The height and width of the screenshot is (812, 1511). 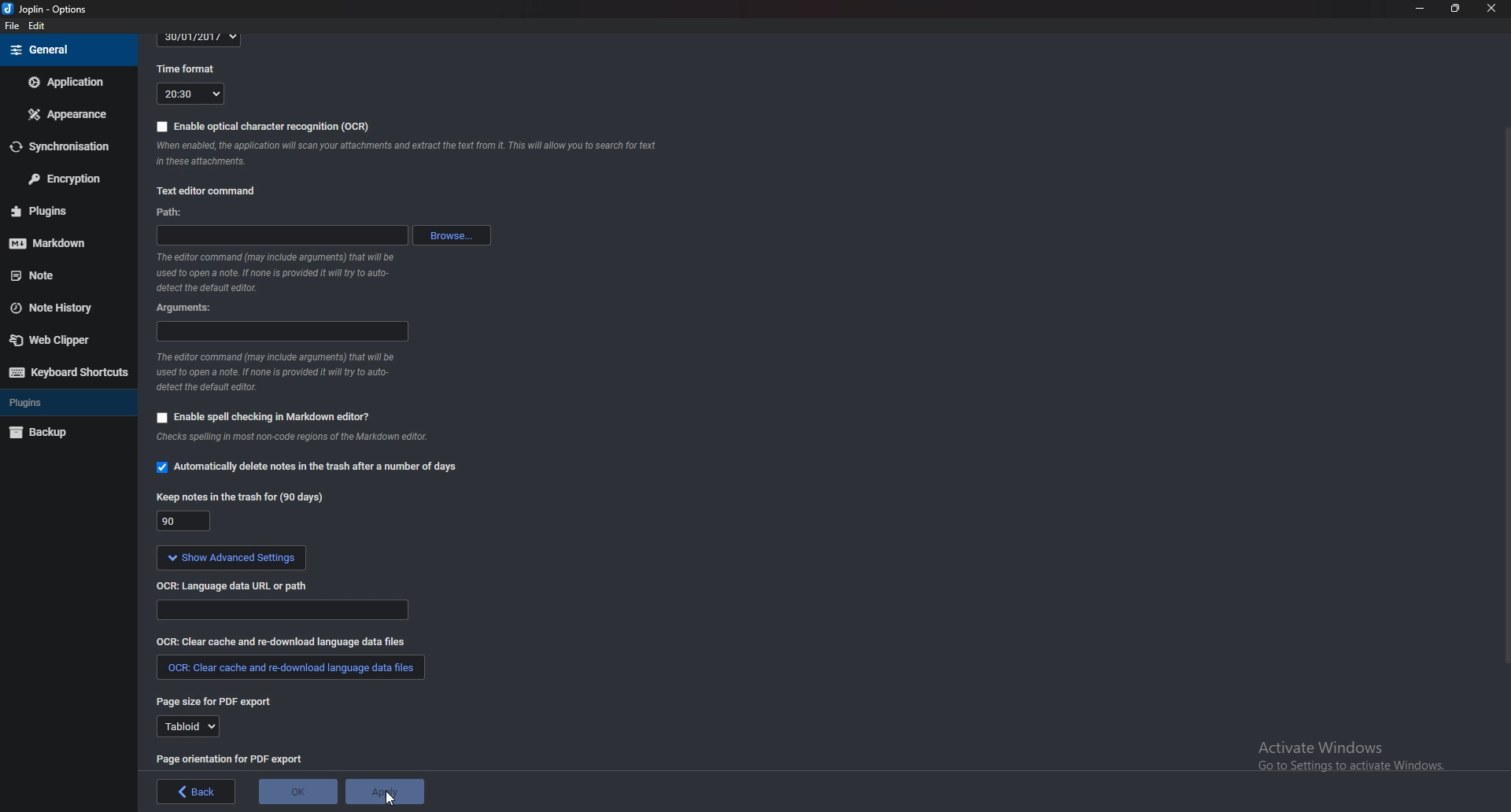 I want to click on Plugins, so click(x=60, y=401).